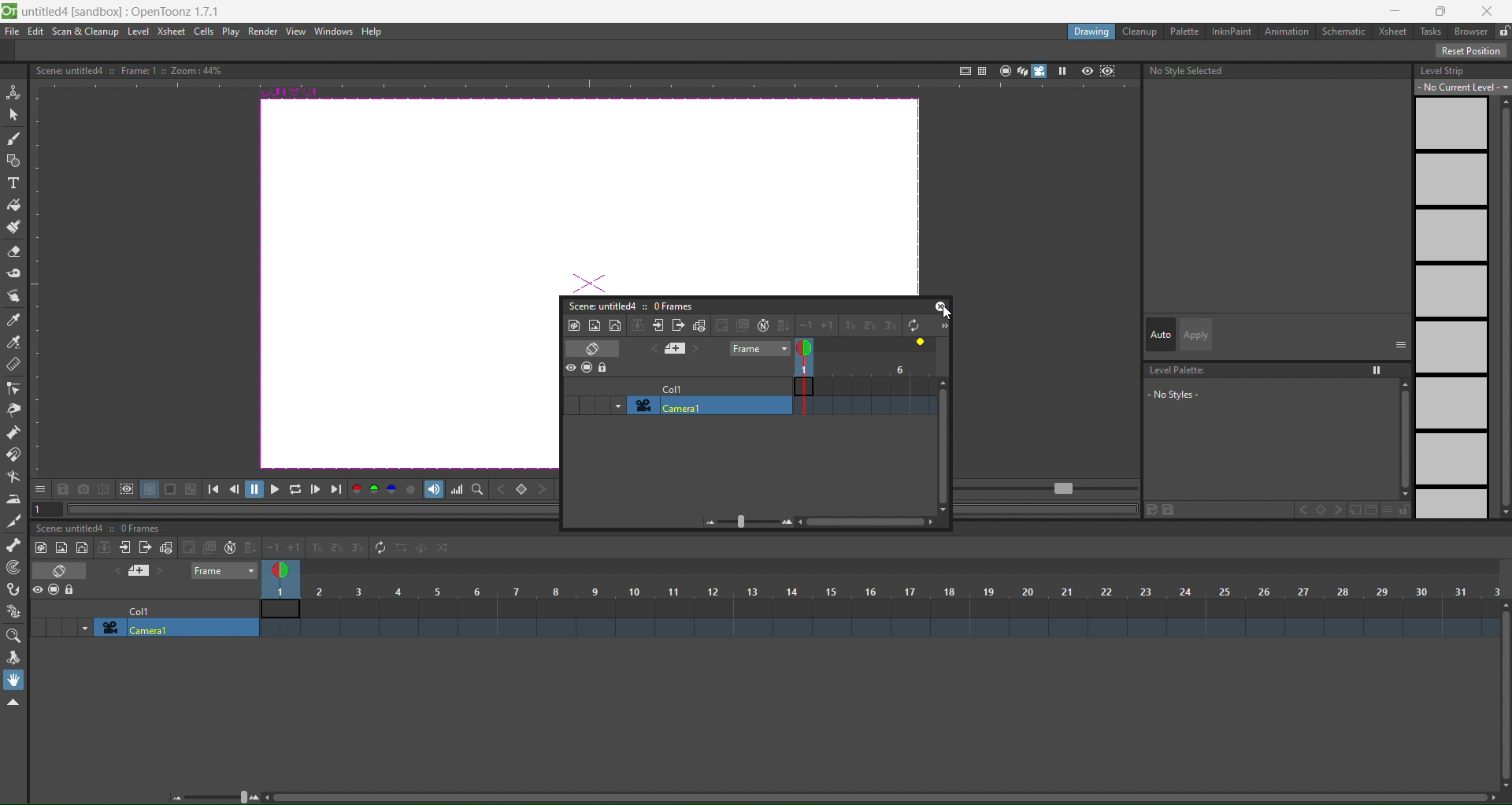  I want to click on col1, so click(672, 387).